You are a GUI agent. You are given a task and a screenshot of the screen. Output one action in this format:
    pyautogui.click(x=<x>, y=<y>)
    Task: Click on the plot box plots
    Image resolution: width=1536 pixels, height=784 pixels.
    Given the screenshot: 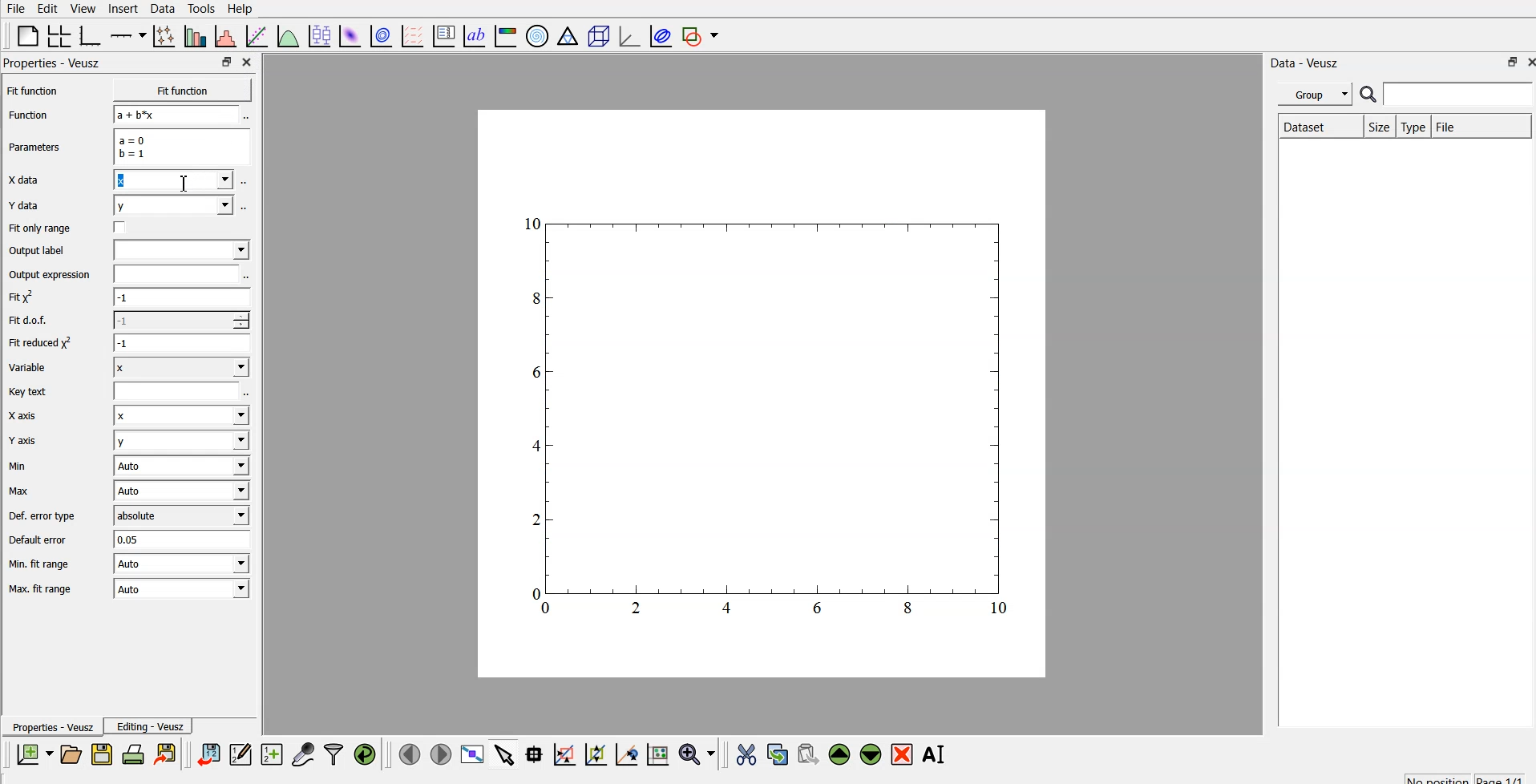 What is the action you would take?
    pyautogui.click(x=320, y=37)
    